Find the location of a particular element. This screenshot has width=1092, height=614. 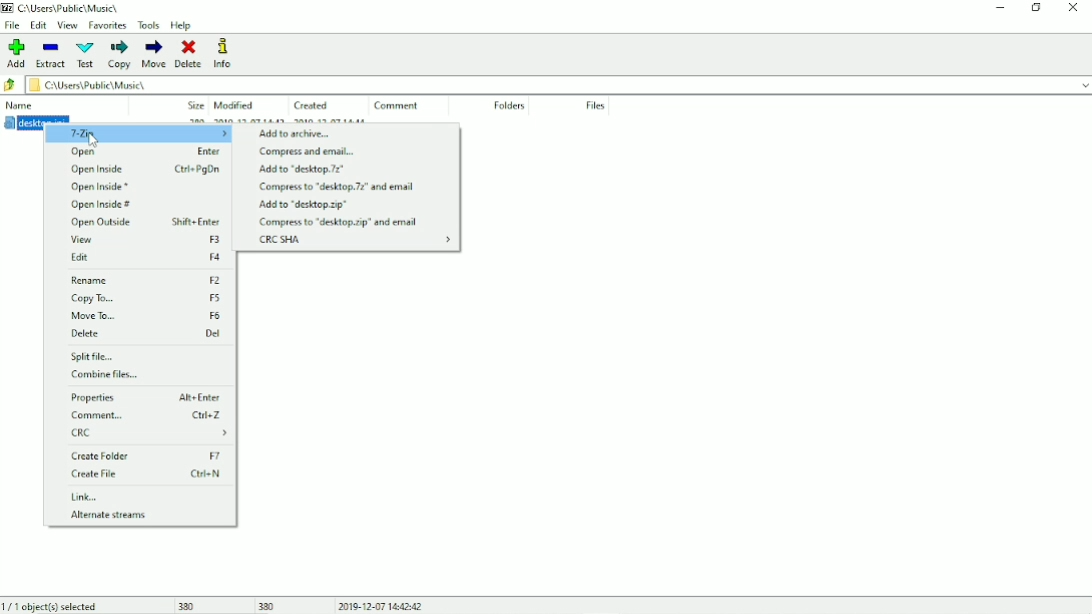

Comment is located at coordinates (400, 106).